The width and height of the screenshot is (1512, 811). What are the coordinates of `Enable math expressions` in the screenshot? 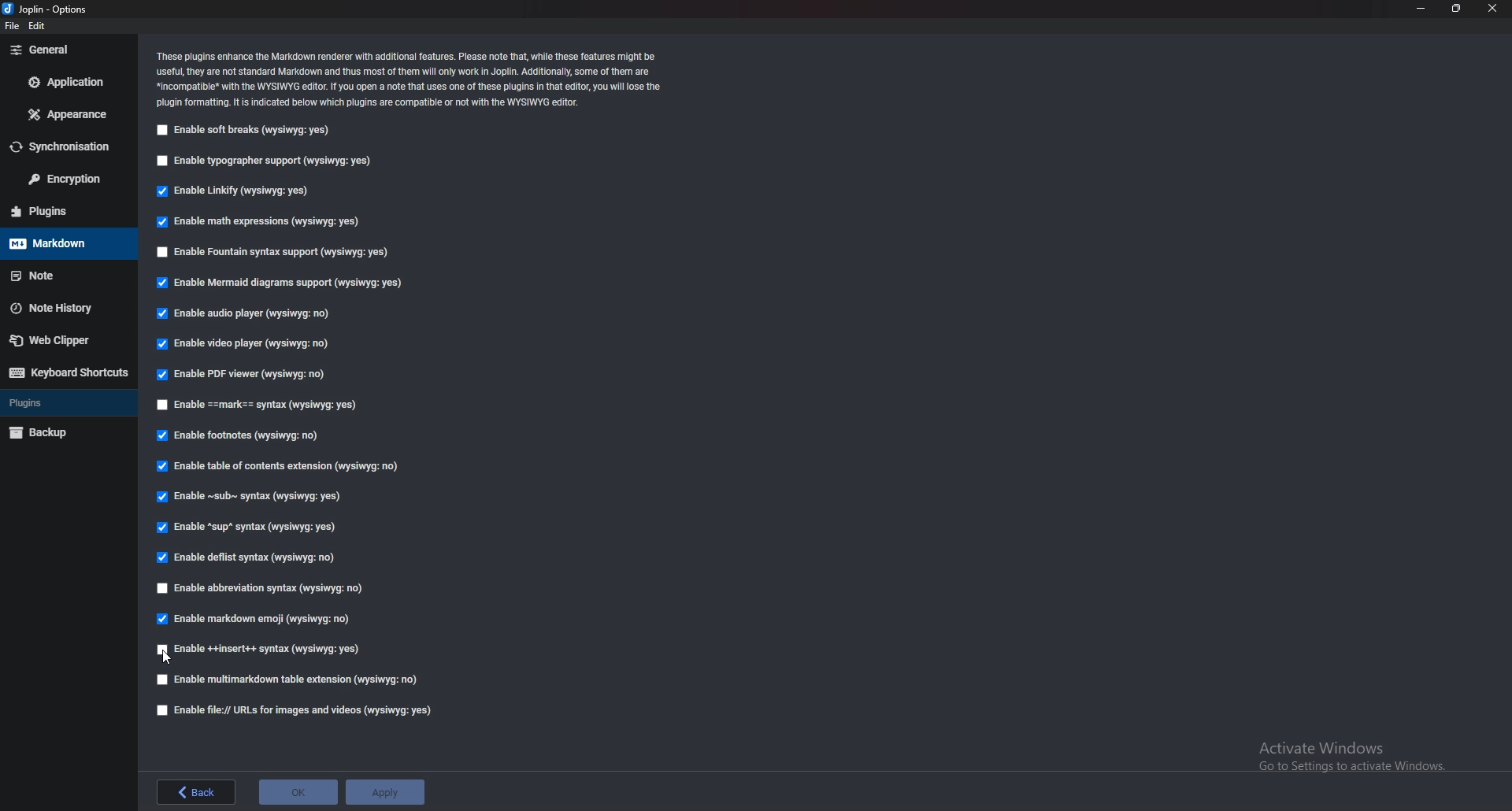 It's located at (259, 223).